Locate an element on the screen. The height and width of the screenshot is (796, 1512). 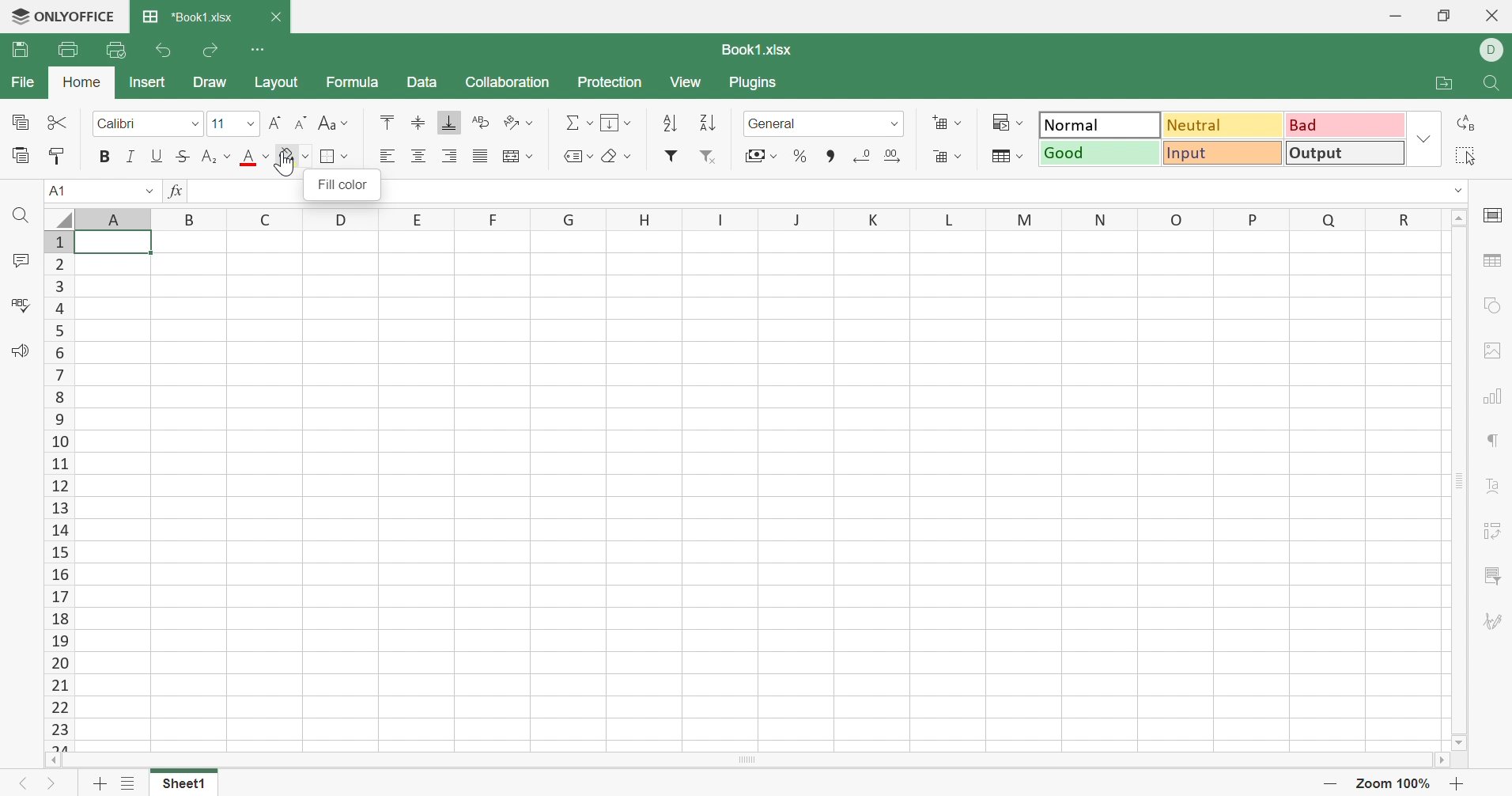
Copy Style is located at coordinates (56, 155).